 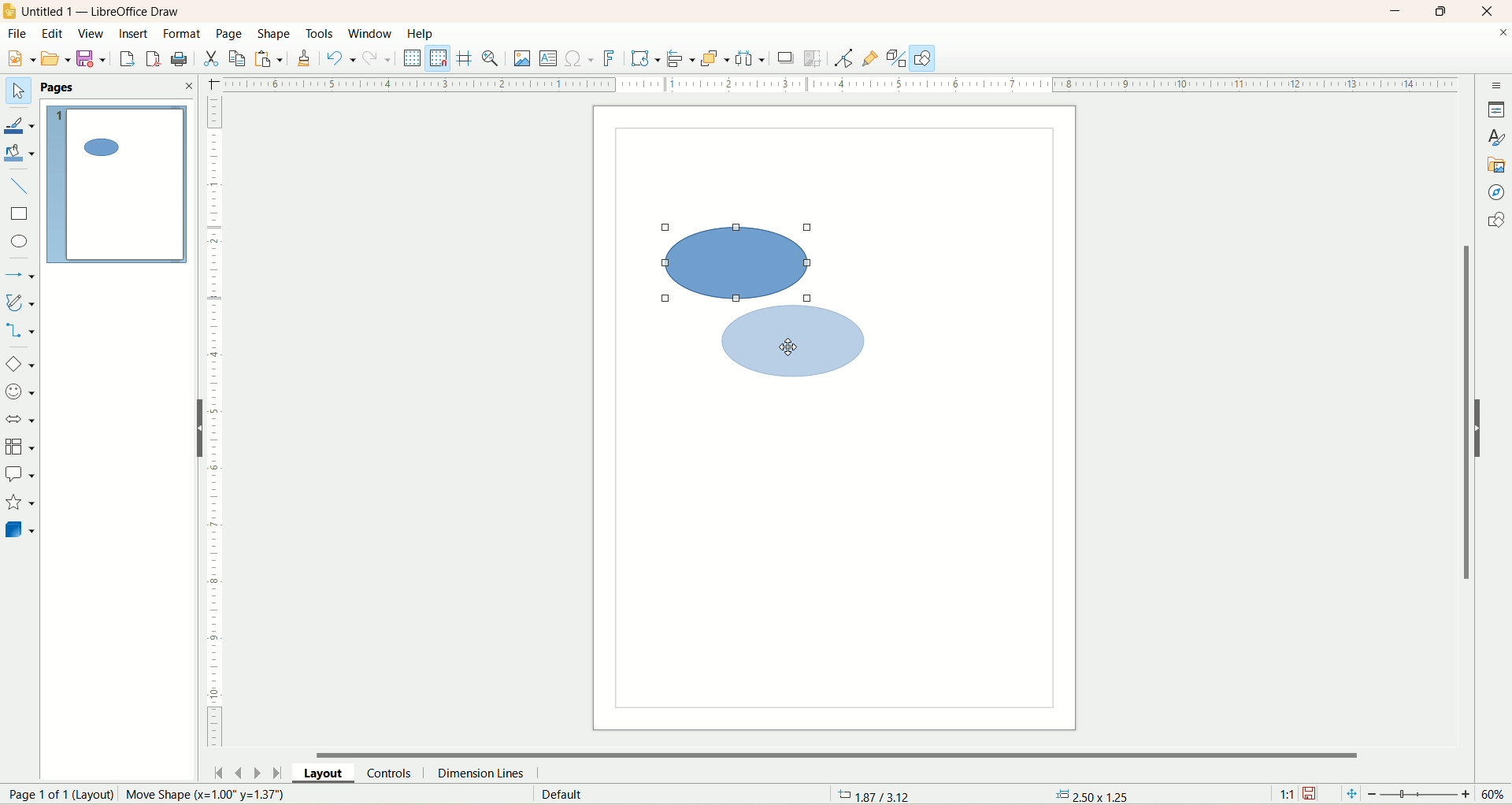 What do you see at coordinates (19, 240) in the screenshot?
I see `ellipse` at bounding box center [19, 240].